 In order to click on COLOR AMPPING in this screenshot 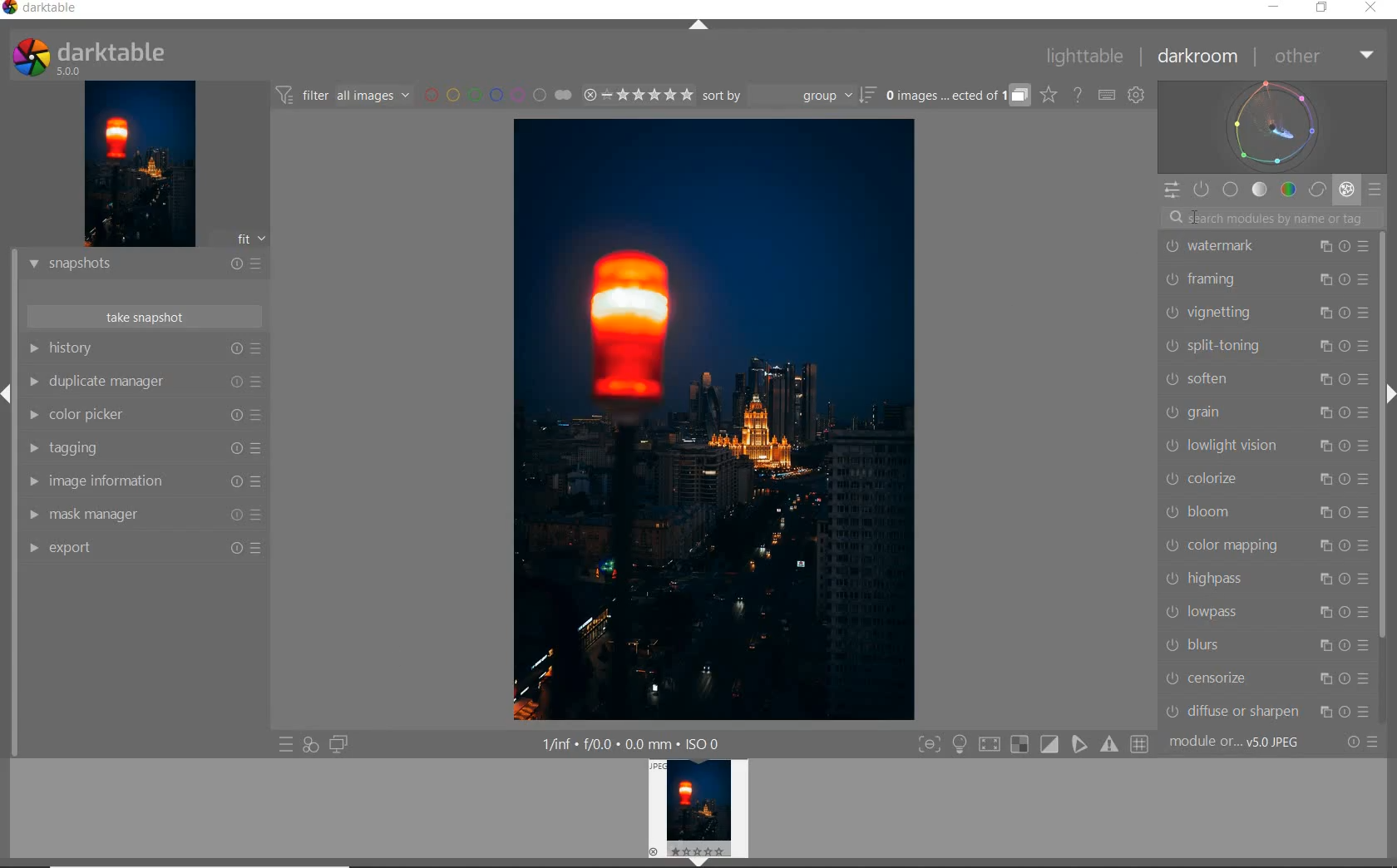, I will do `click(1229, 547)`.